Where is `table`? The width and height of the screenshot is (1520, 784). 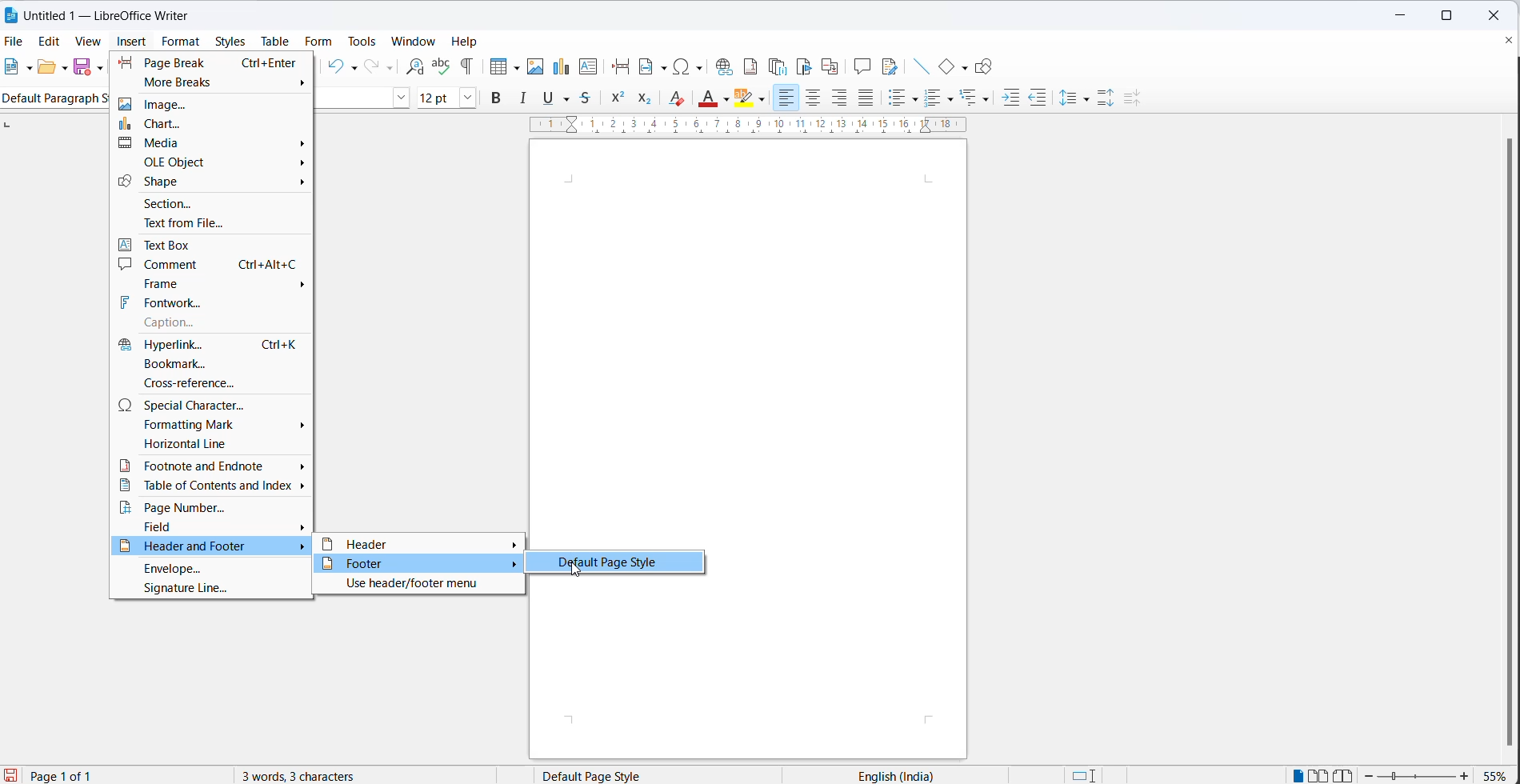
table is located at coordinates (275, 40).